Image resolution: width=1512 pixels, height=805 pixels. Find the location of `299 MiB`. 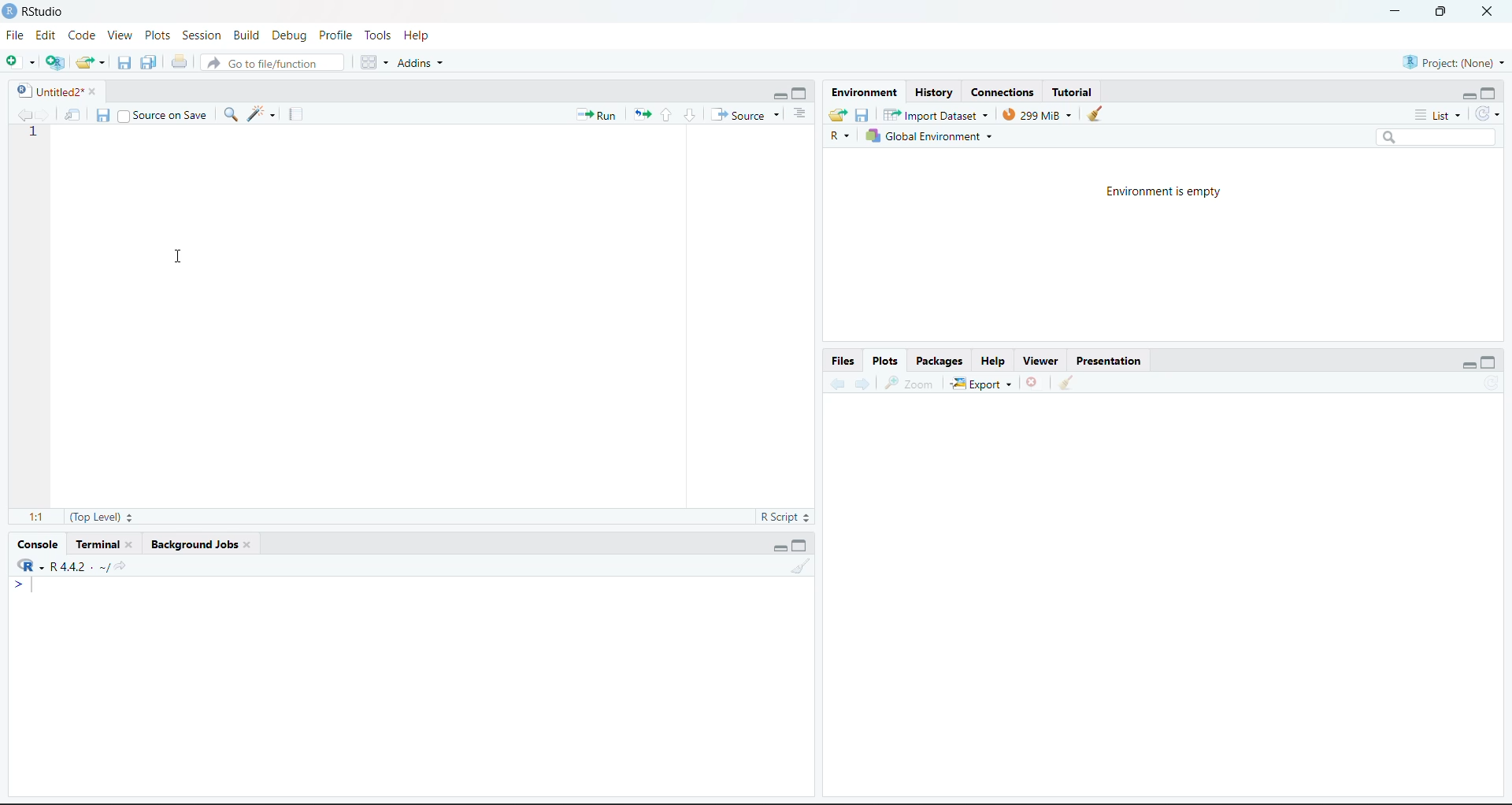

299 MiB is located at coordinates (1039, 114).